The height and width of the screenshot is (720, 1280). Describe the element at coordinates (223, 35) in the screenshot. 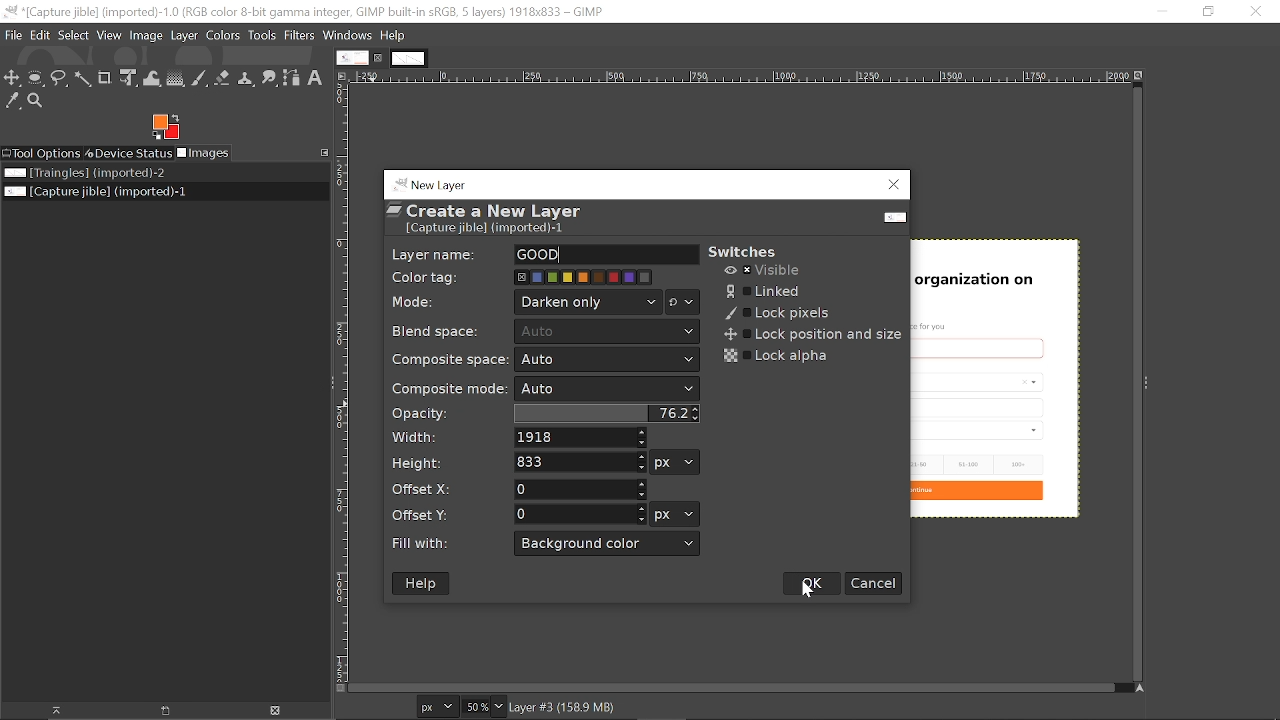

I see `Colors` at that location.